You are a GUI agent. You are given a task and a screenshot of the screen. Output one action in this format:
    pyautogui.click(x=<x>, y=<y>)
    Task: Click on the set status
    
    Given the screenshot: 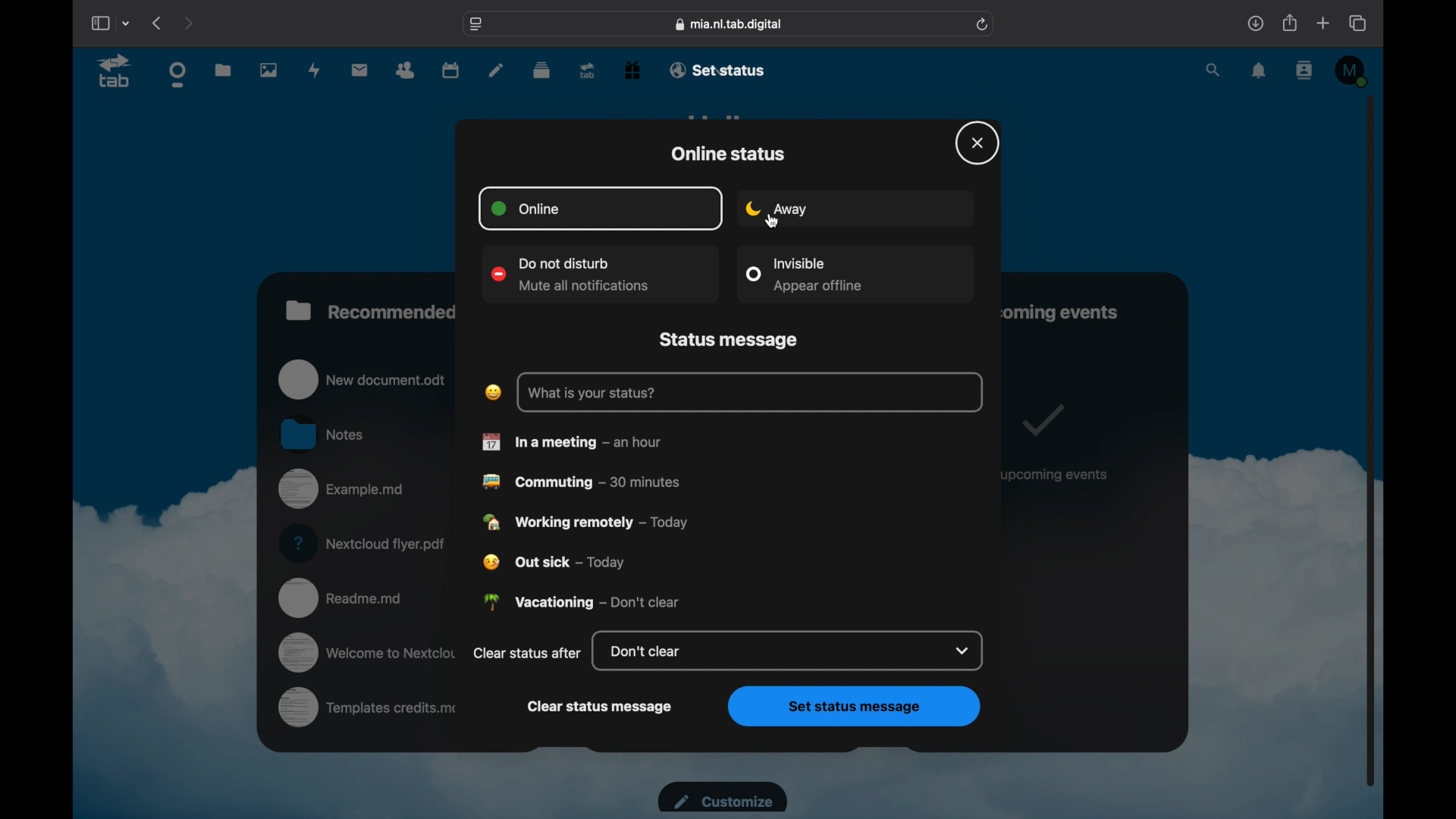 What is the action you would take?
    pyautogui.click(x=734, y=69)
    